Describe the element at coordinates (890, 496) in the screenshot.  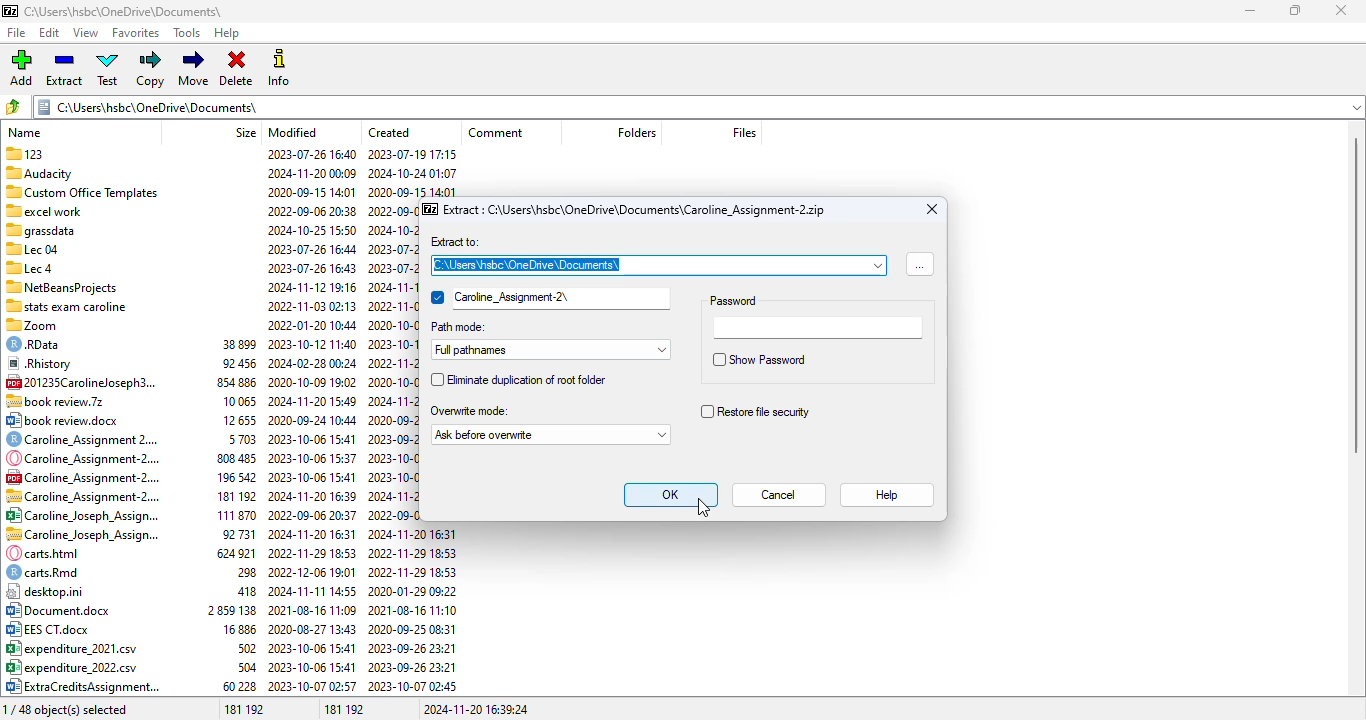
I see `help` at that location.